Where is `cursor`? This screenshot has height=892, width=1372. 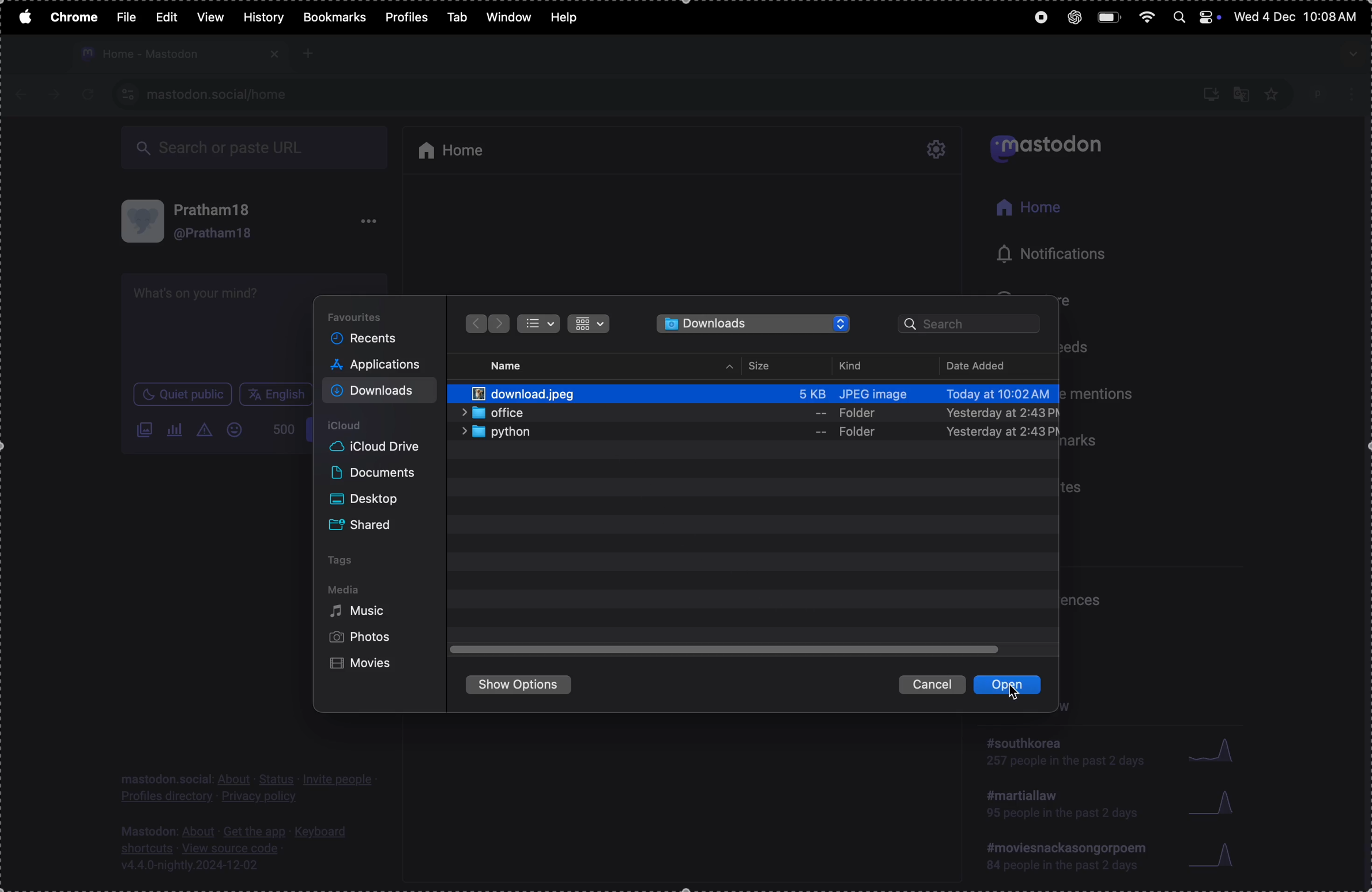 cursor is located at coordinates (1020, 693).